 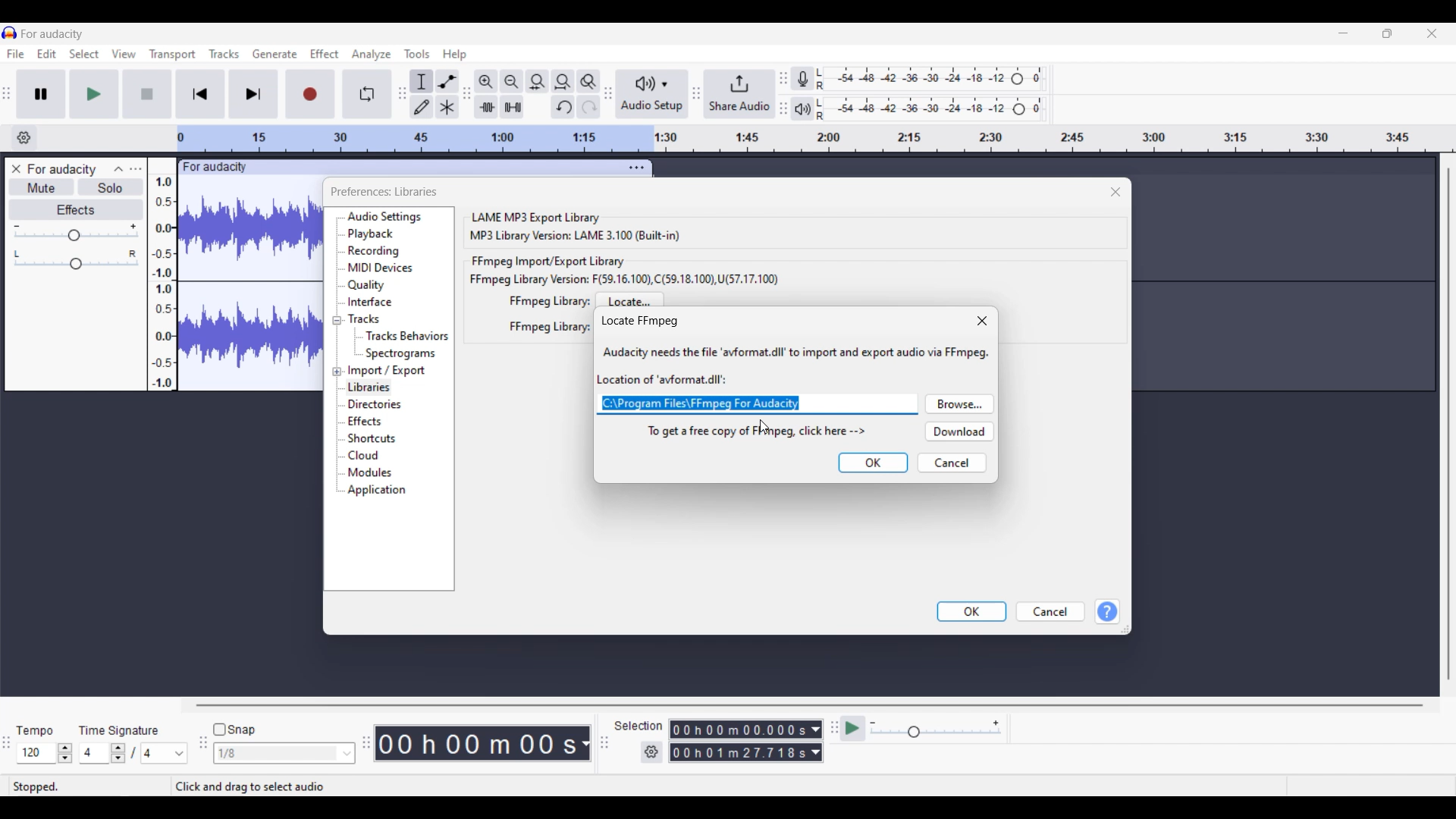 I want to click on Scale to measure length of track, so click(x=814, y=139).